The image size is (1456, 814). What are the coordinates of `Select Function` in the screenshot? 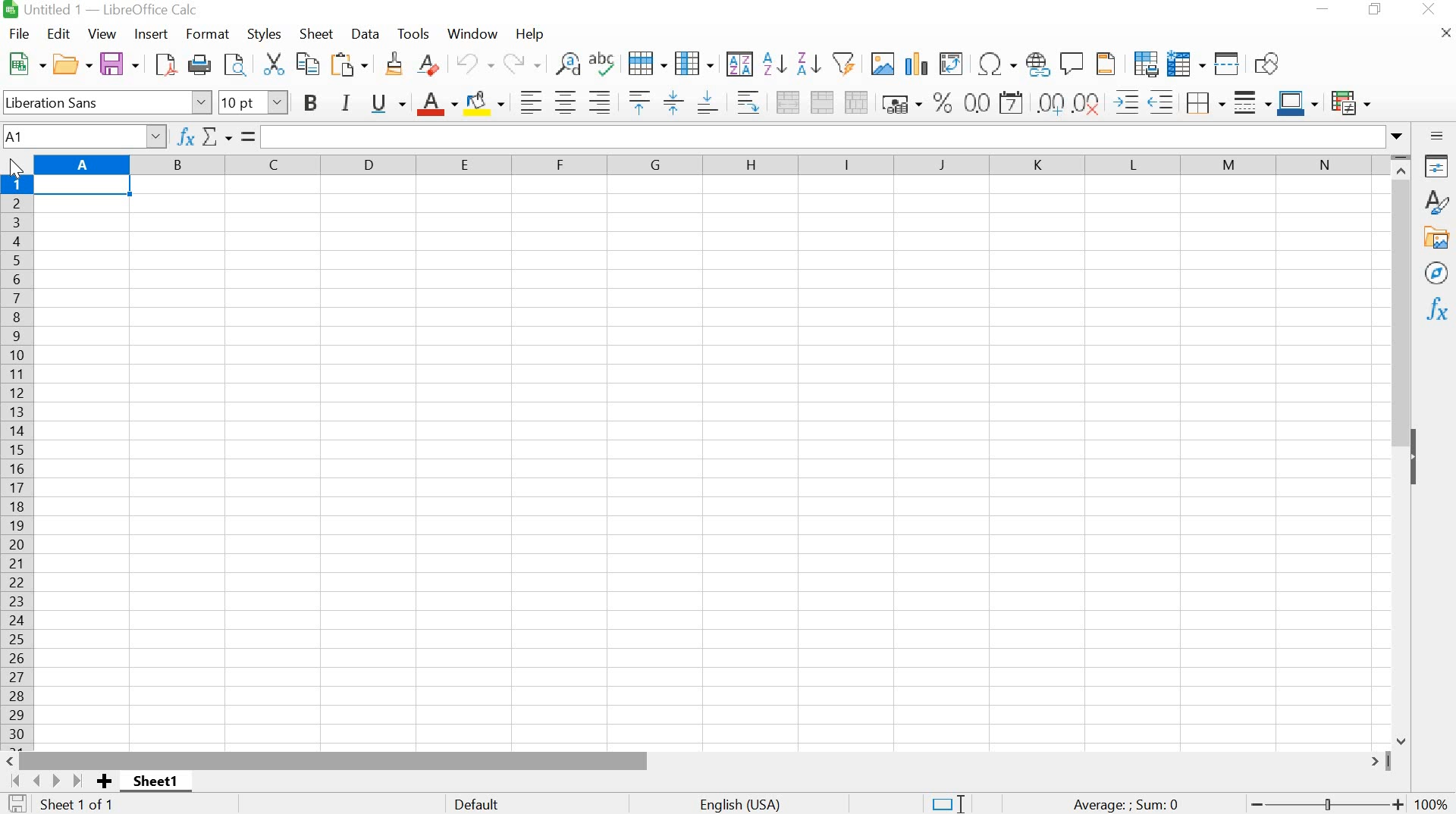 It's located at (217, 137).